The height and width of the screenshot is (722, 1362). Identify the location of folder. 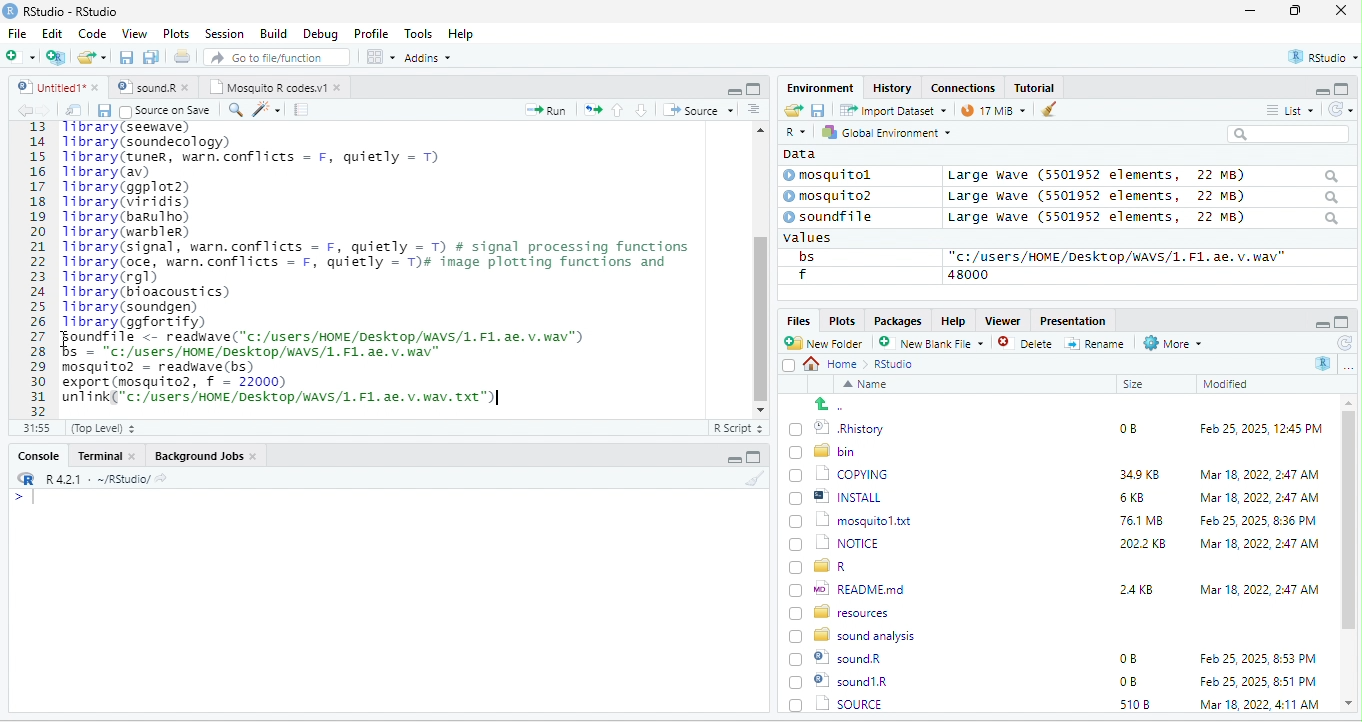
(94, 57).